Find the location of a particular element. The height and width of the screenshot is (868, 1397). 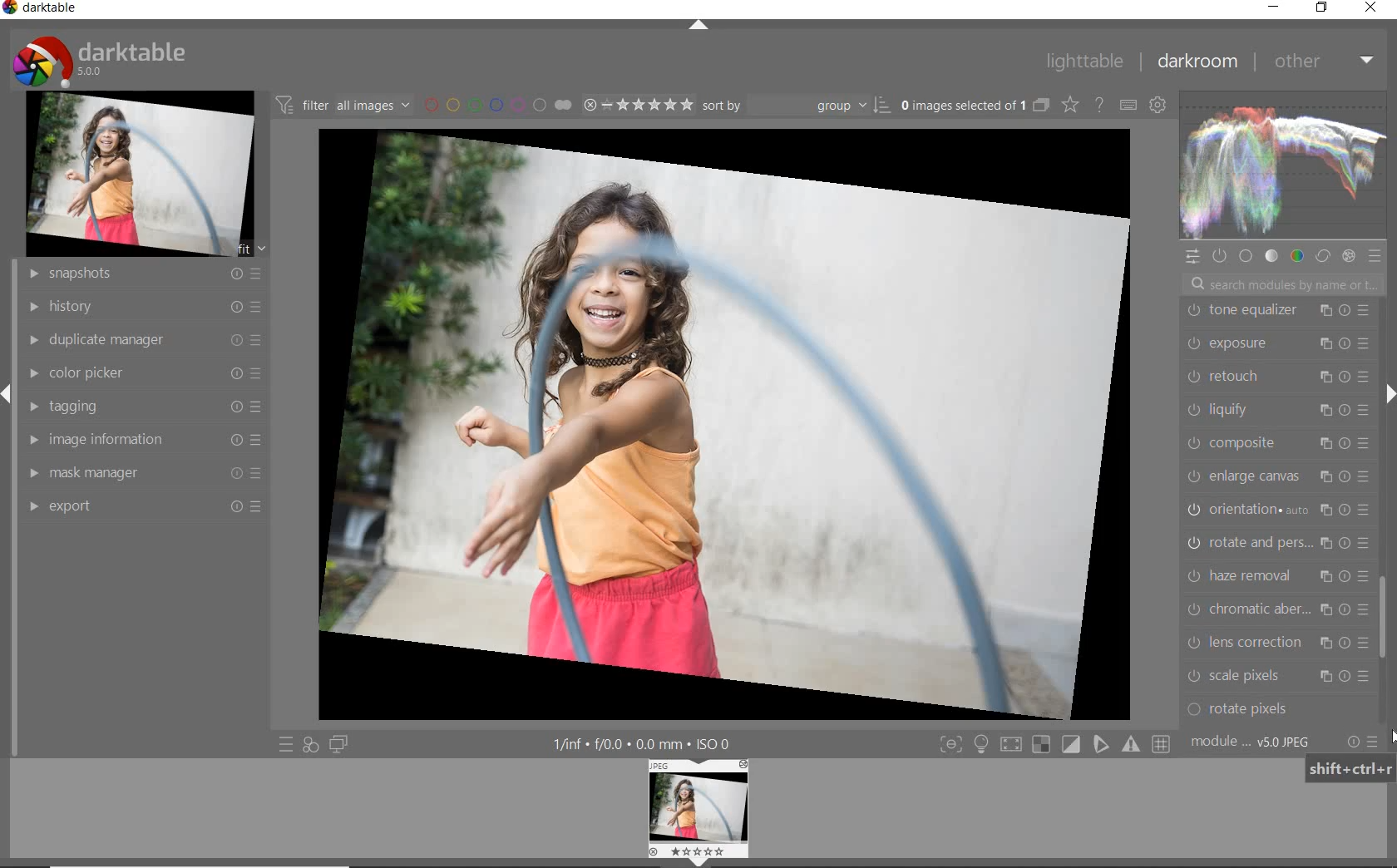

module order is located at coordinates (1251, 743).